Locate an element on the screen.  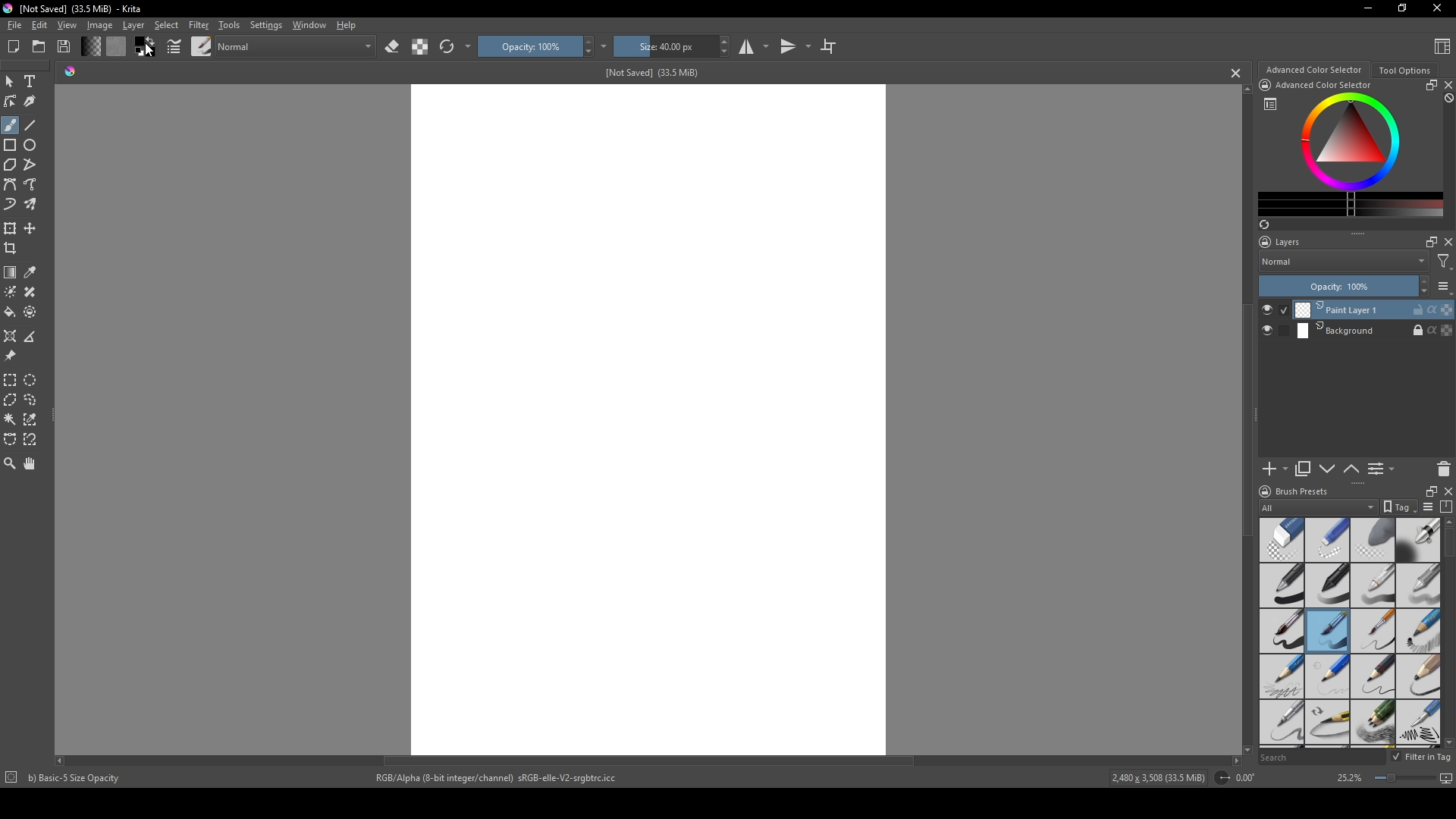
Layers is located at coordinates (1284, 242).